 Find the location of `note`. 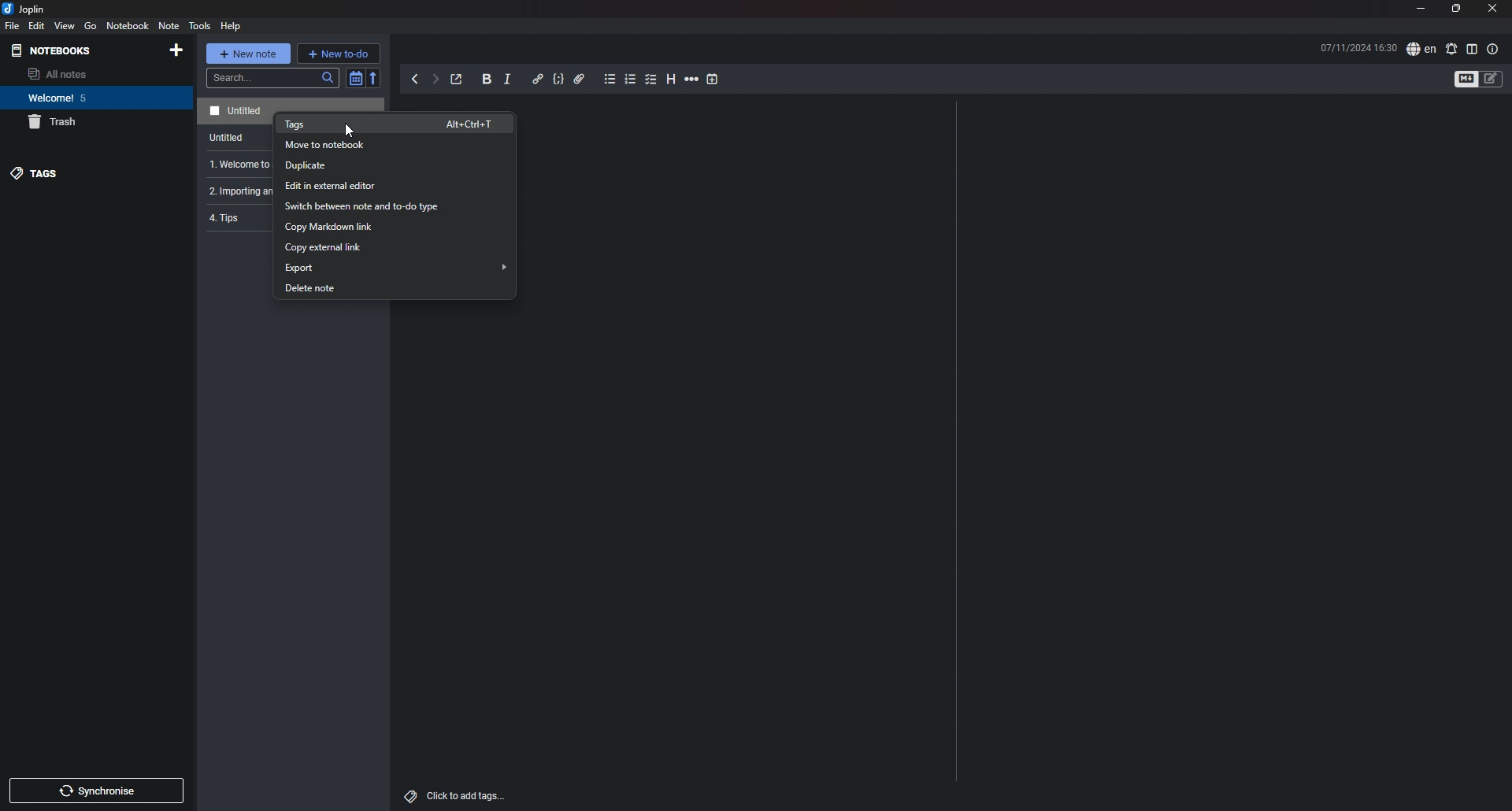

note is located at coordinates (169, 25).